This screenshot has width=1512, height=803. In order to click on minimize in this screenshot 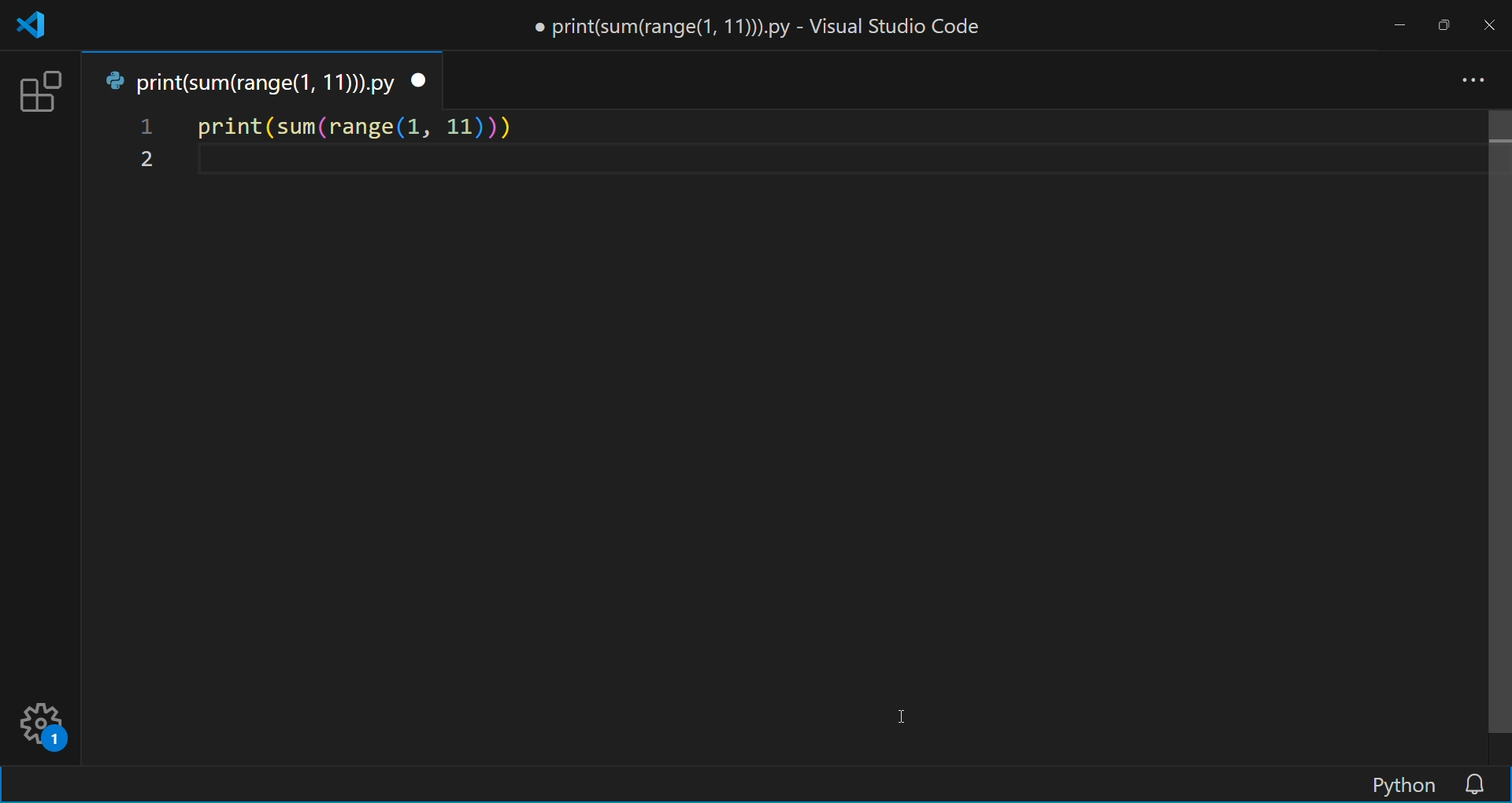, I will do `click(1401, 26)`.